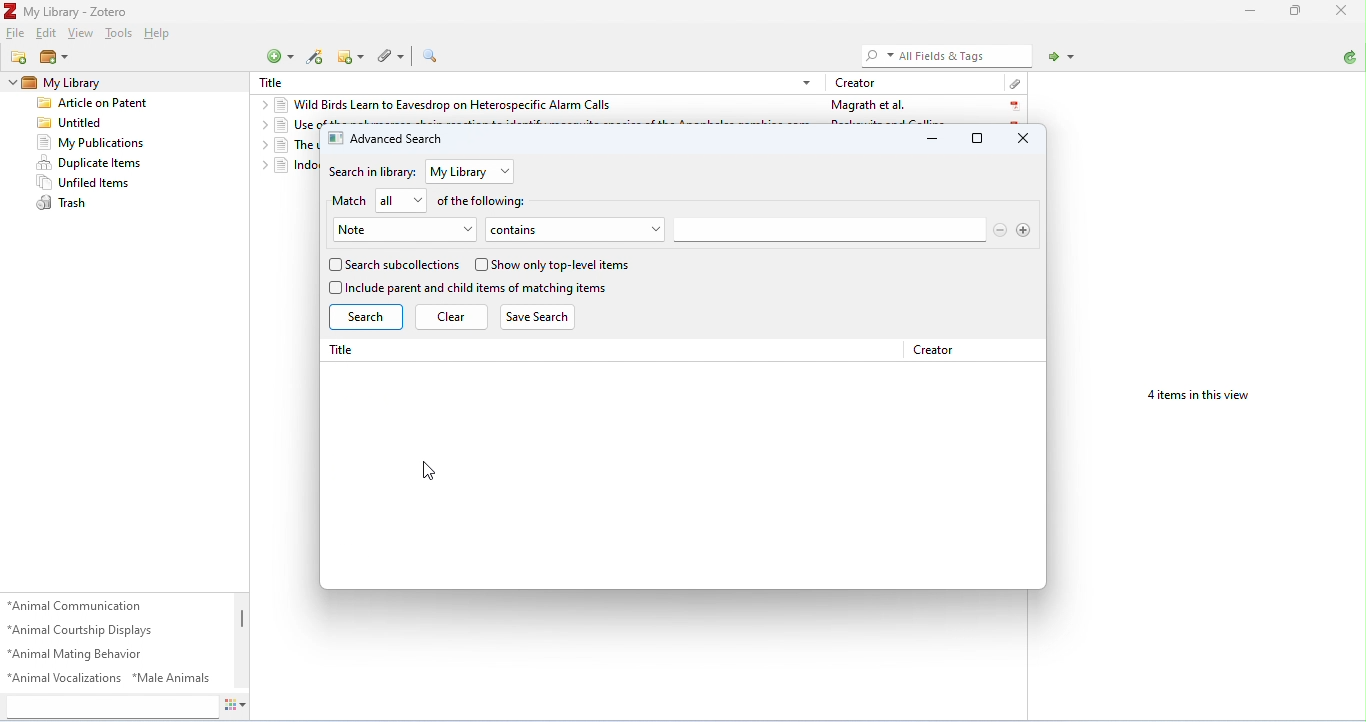 The height and width of the screenshot is (722, 1366). Describe the element at coordinates (934, 350) in the screenshot. I see `creator` at that location.